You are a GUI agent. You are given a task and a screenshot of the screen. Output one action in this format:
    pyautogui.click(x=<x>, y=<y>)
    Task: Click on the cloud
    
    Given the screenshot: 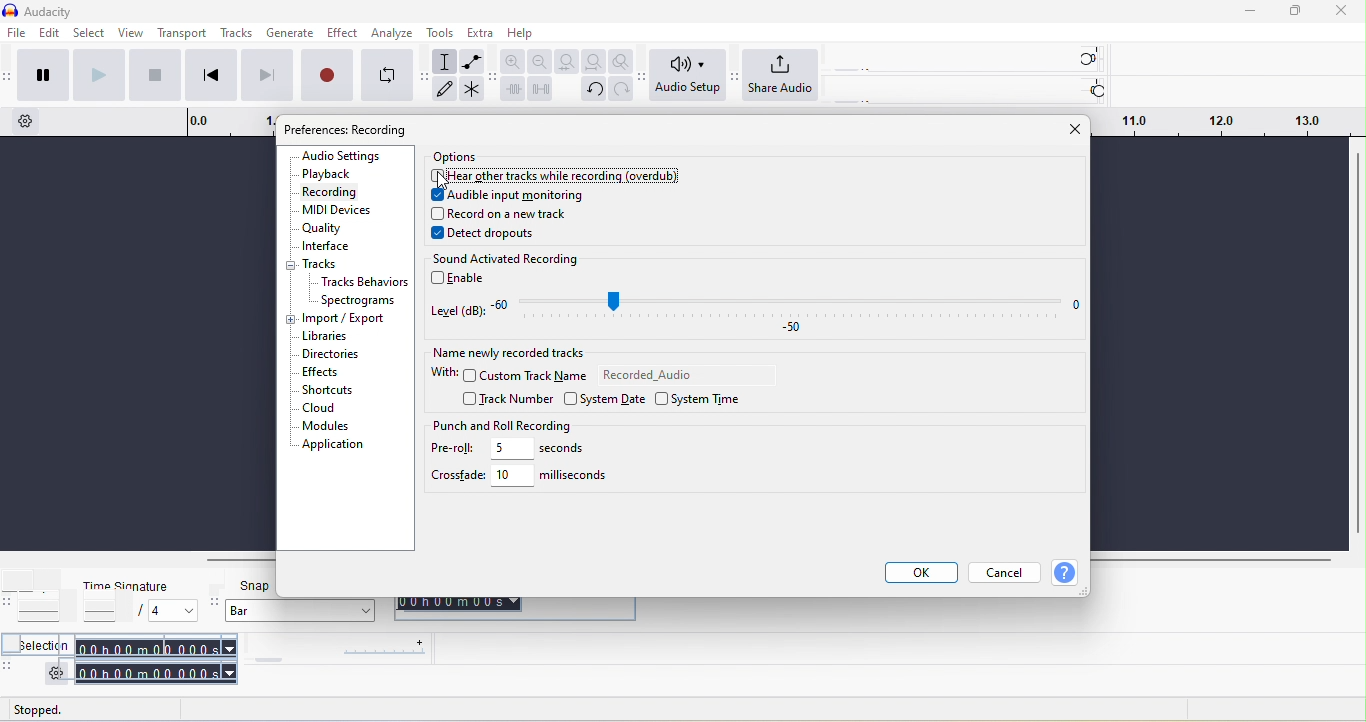 What is the action you would take?
    pyautogui.click(x=323, y=410)
    